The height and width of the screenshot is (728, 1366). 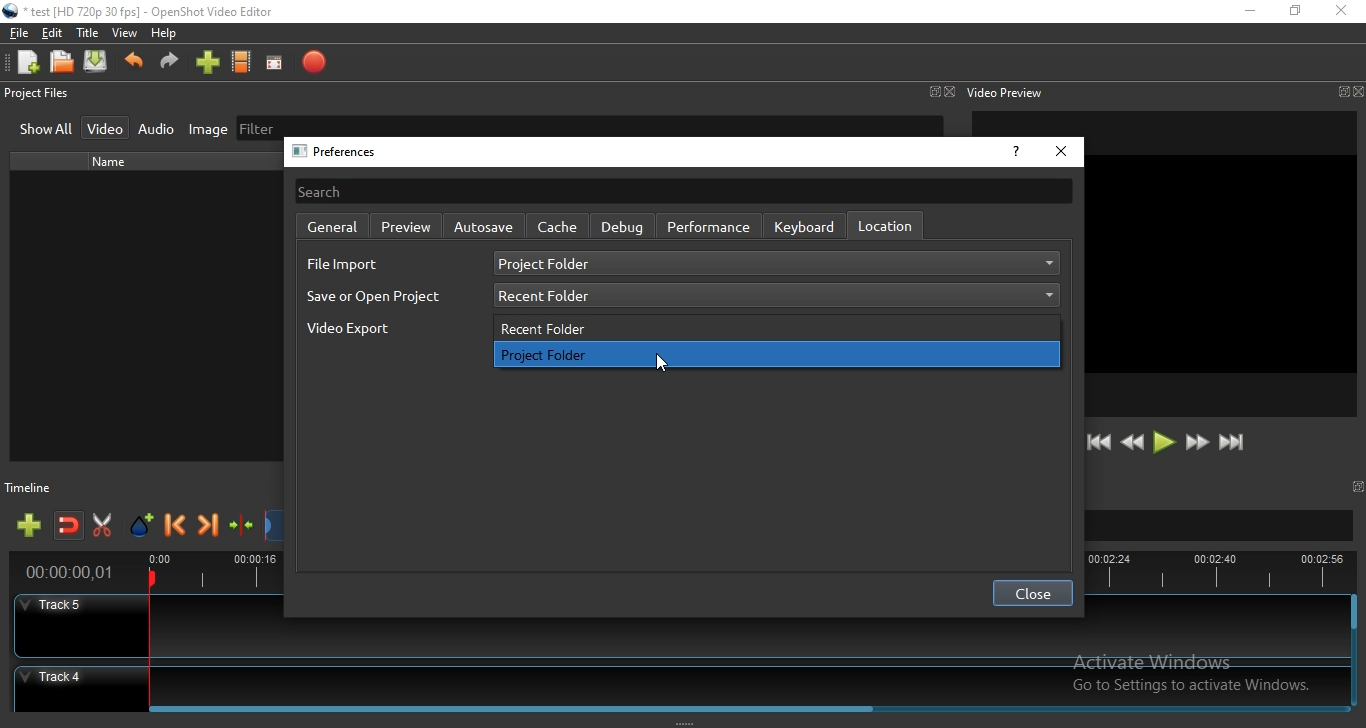 What do you see at coordinates (775, 297) in the screenshot?
I see `` at bounding box center [775, 297].